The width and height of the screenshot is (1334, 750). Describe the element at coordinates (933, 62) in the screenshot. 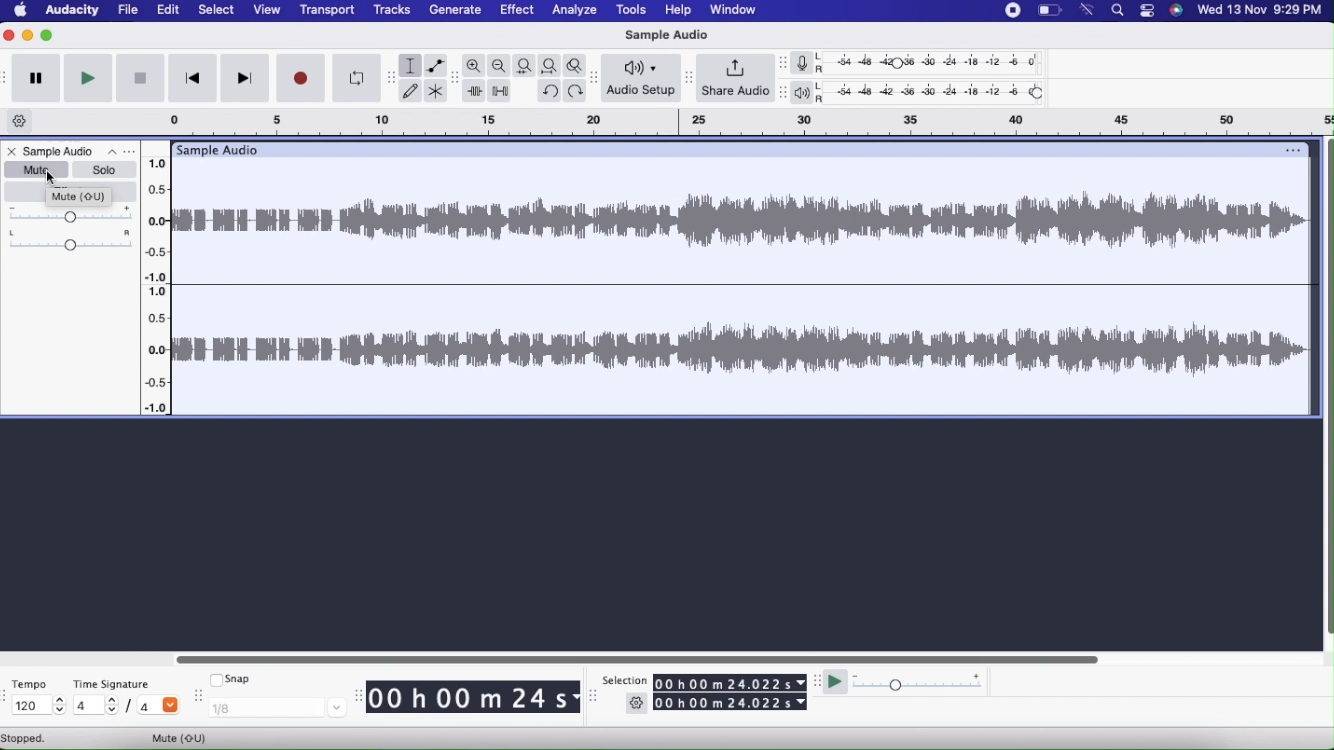

I see `Record level` at that location.